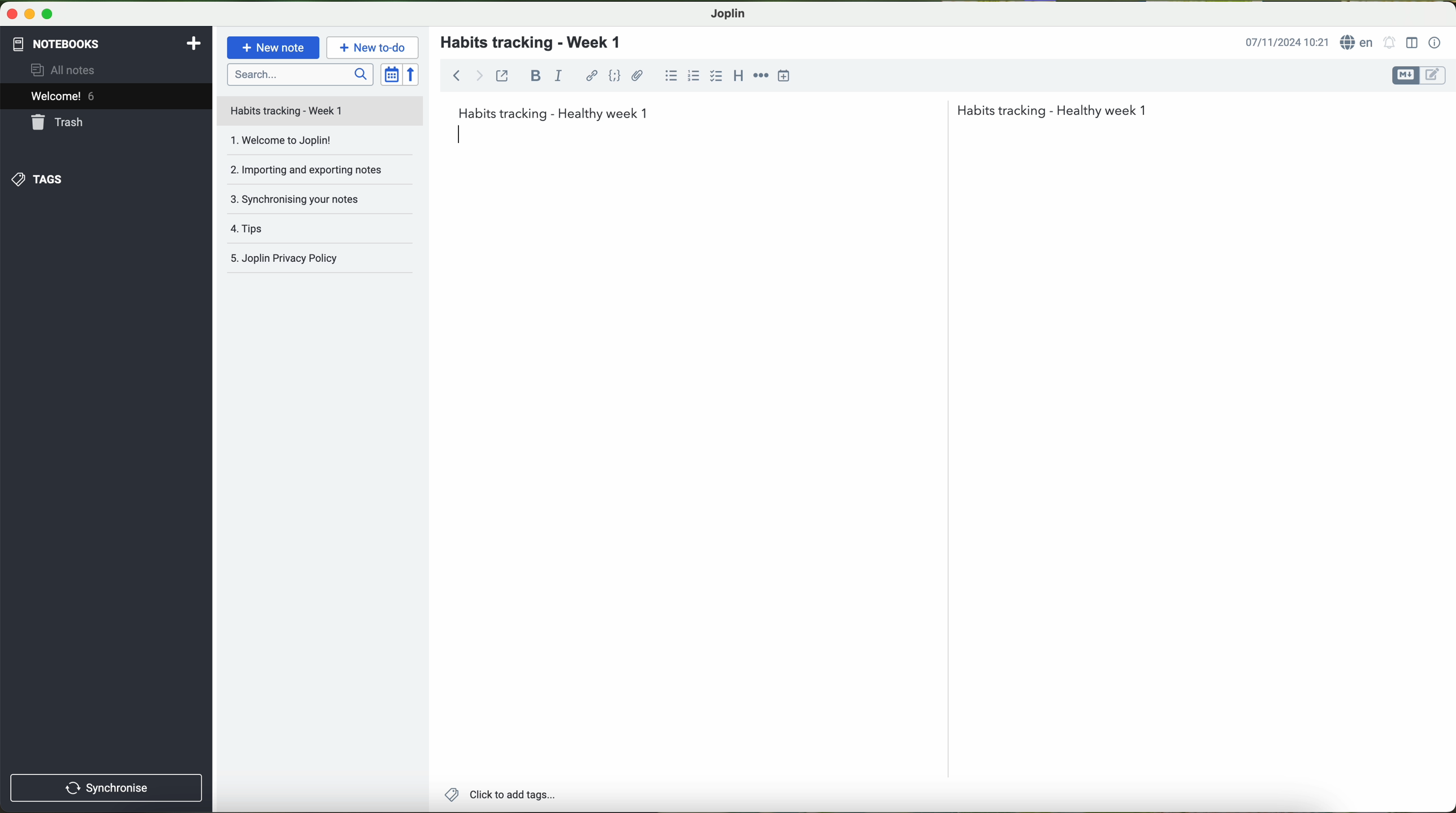  What do you see at coordinates (616, 76) in the screenshot?
I see `code` at bounding box center [616, 76].